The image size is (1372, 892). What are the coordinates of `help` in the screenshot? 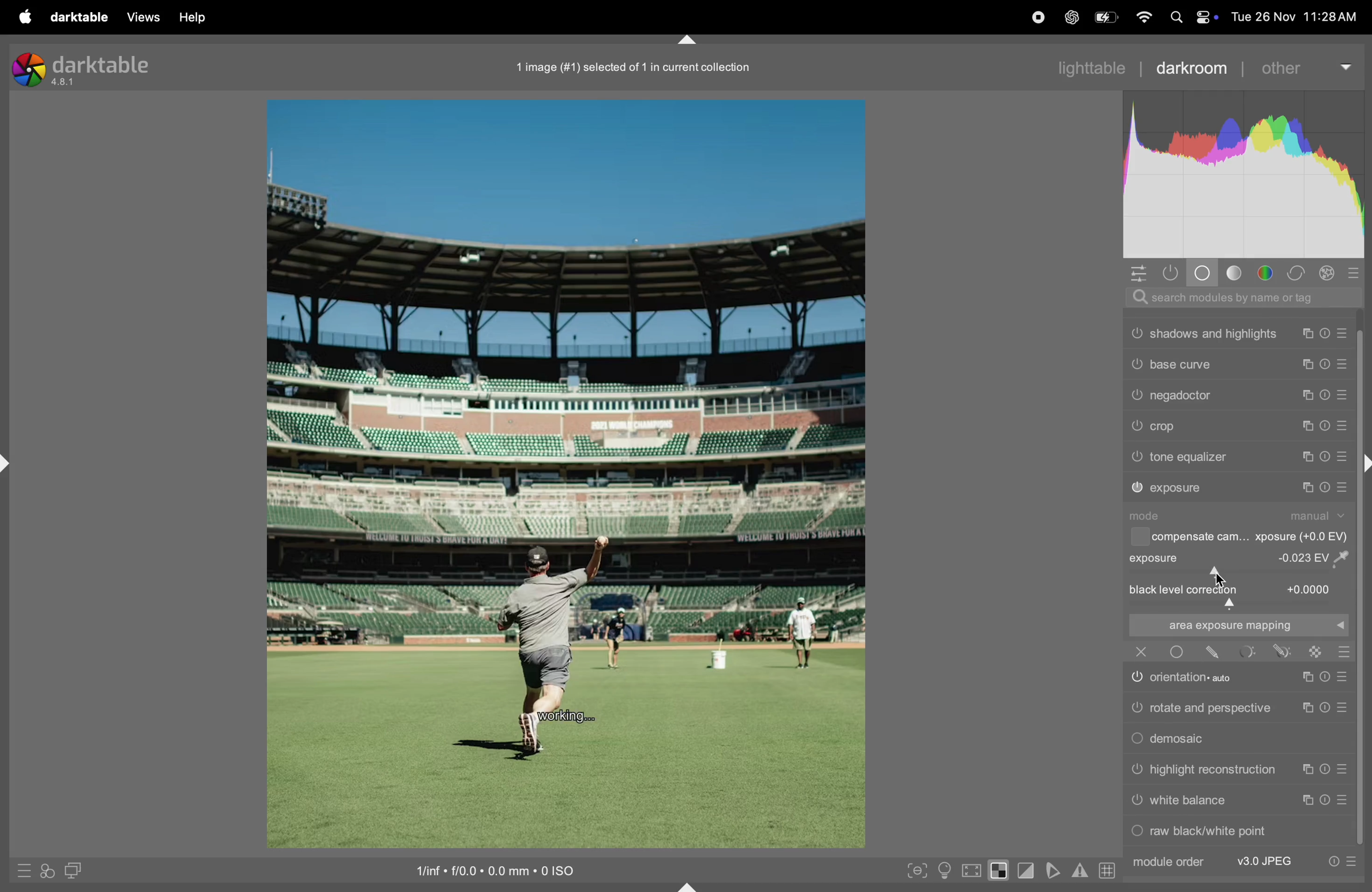 It's located at (196, 17).